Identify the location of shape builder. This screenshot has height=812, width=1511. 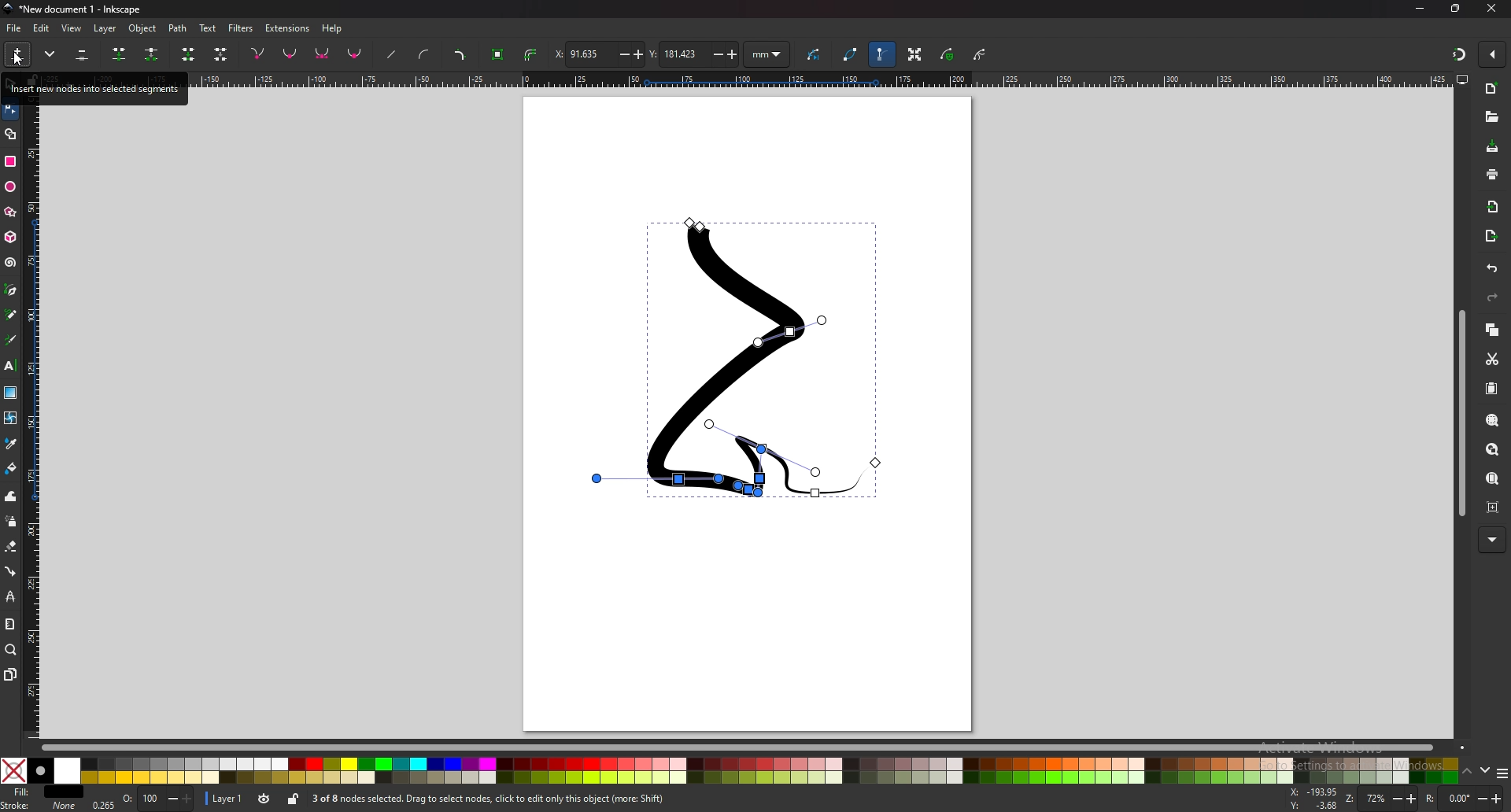
(12, 134).